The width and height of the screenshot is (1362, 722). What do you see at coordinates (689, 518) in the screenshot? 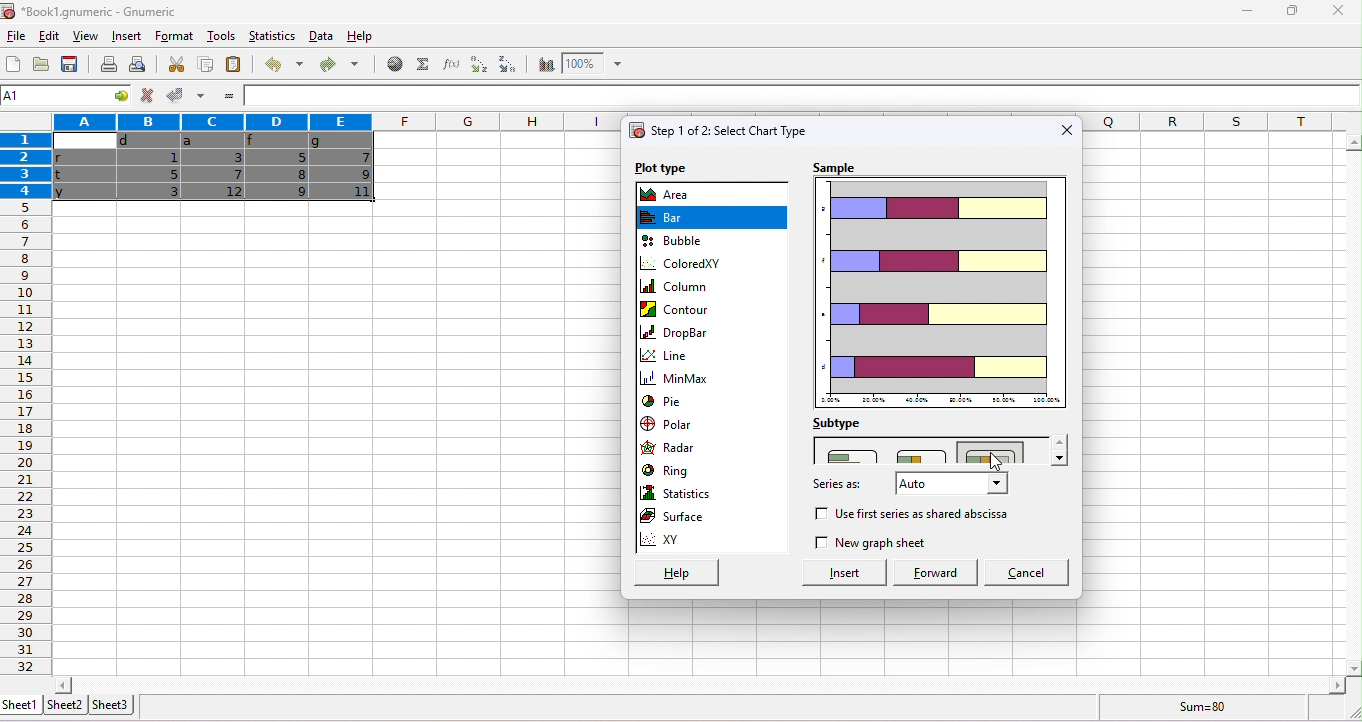
I see `surface` at bounding box center [689, 518].